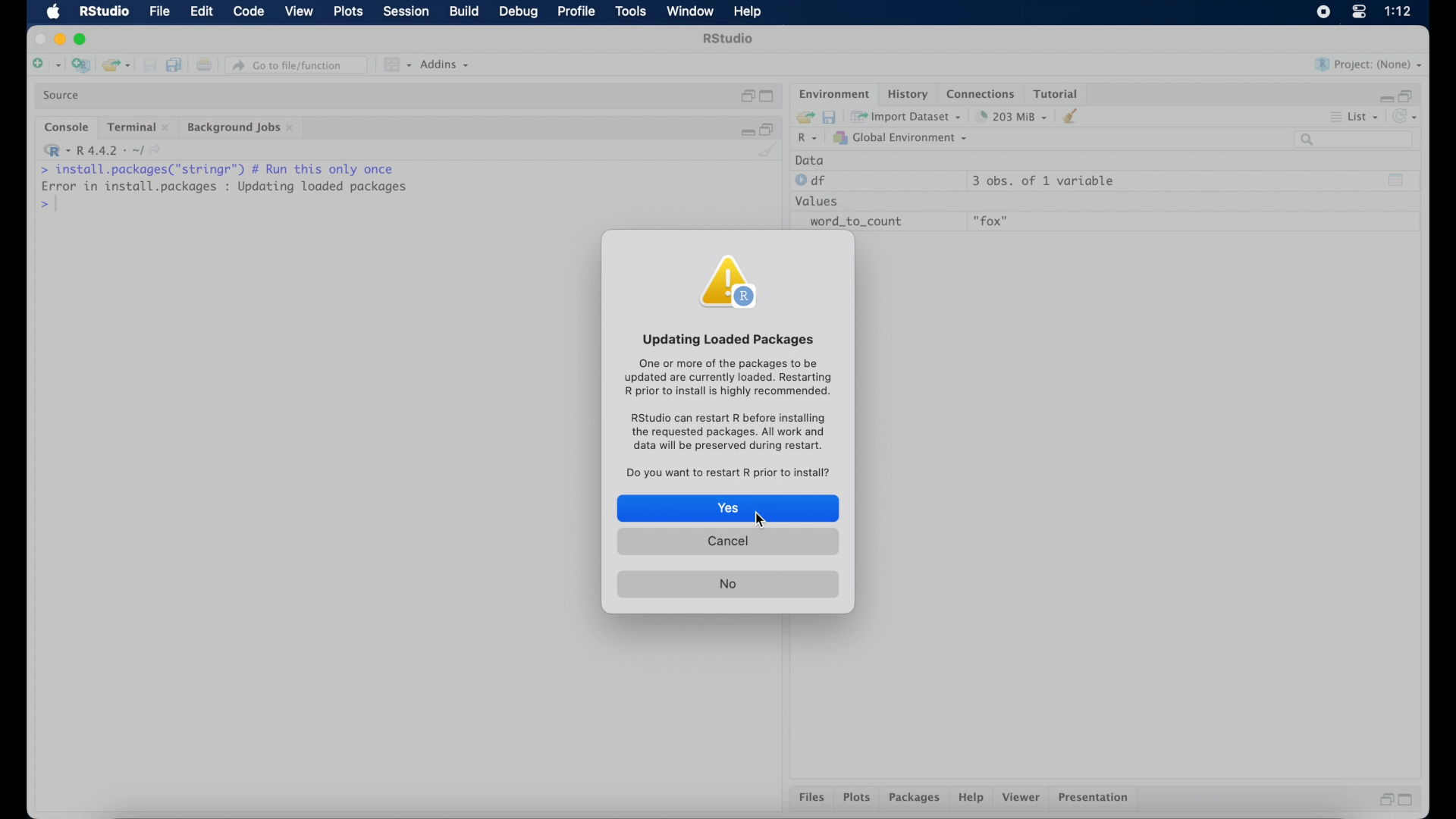 Image resolution: width=1456 pixels, height=819 pixels. I want to click on Error in install.packages : Updating loaded packages, so click(224, 186).